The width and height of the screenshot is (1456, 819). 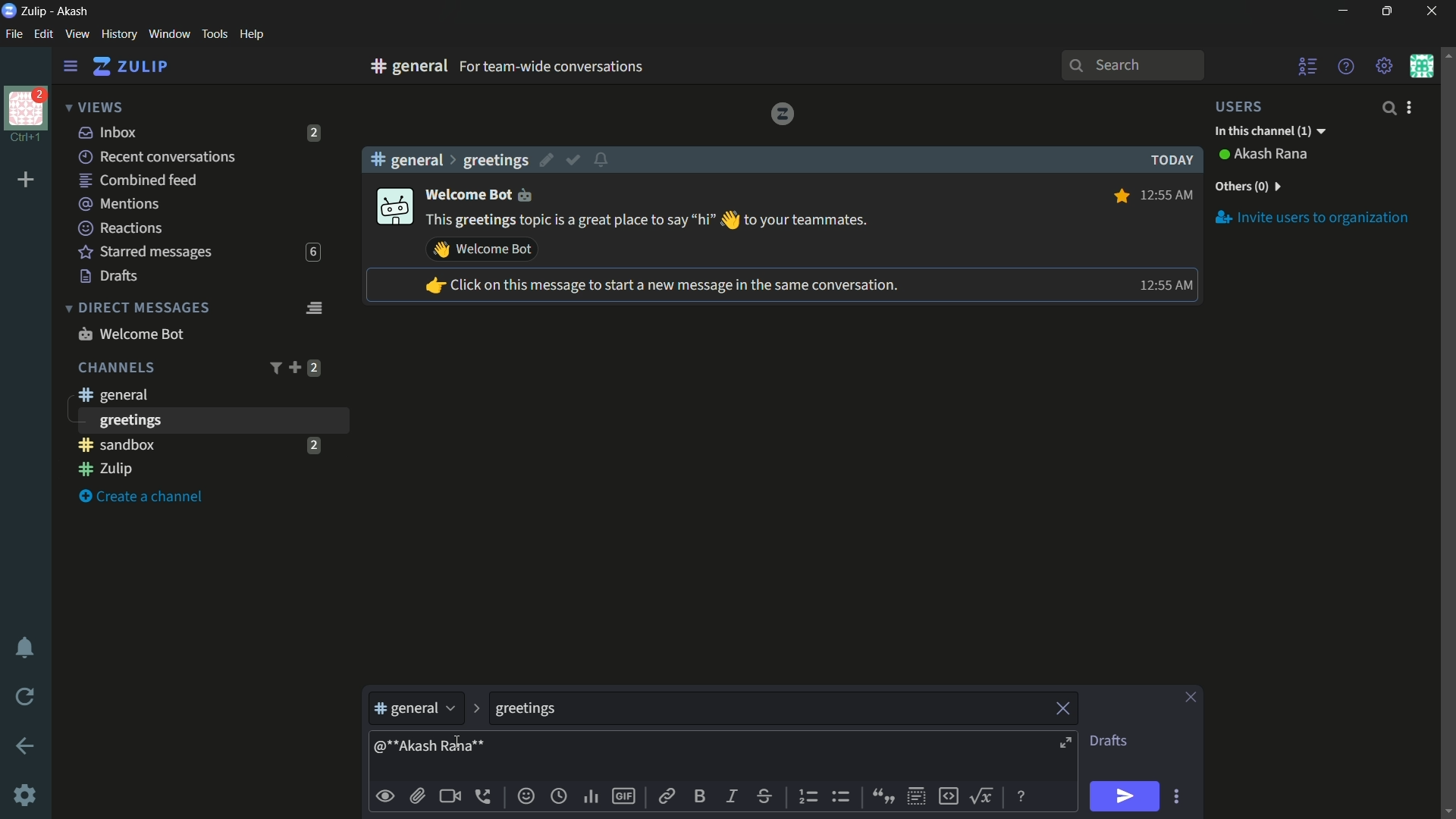 What do you see at coordinates (417, 796) in the screenshot?
I see `upload files` at bounding box center [417, 796].